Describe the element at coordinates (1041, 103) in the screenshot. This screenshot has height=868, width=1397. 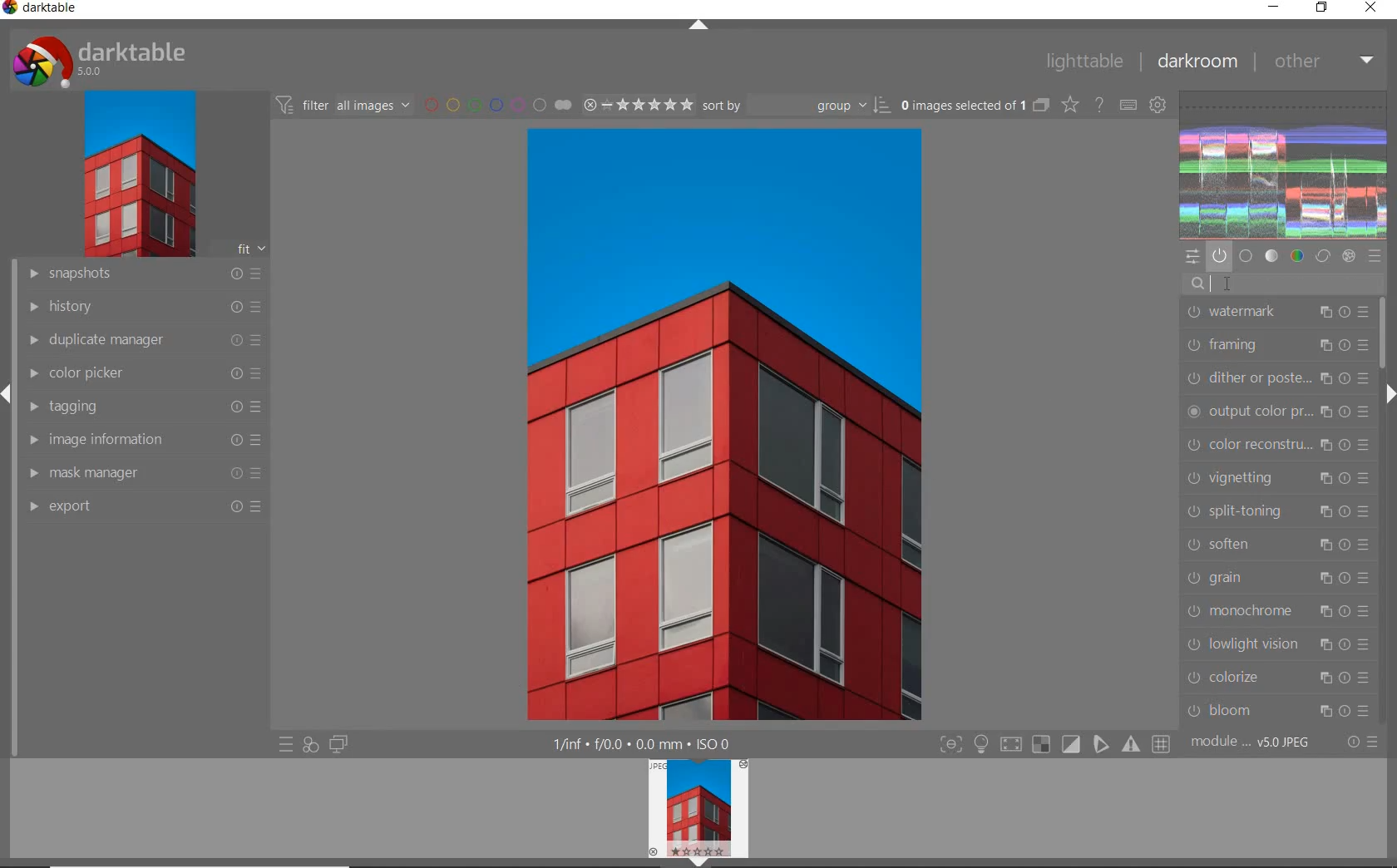
I see `collapsed grouped images` at that location.